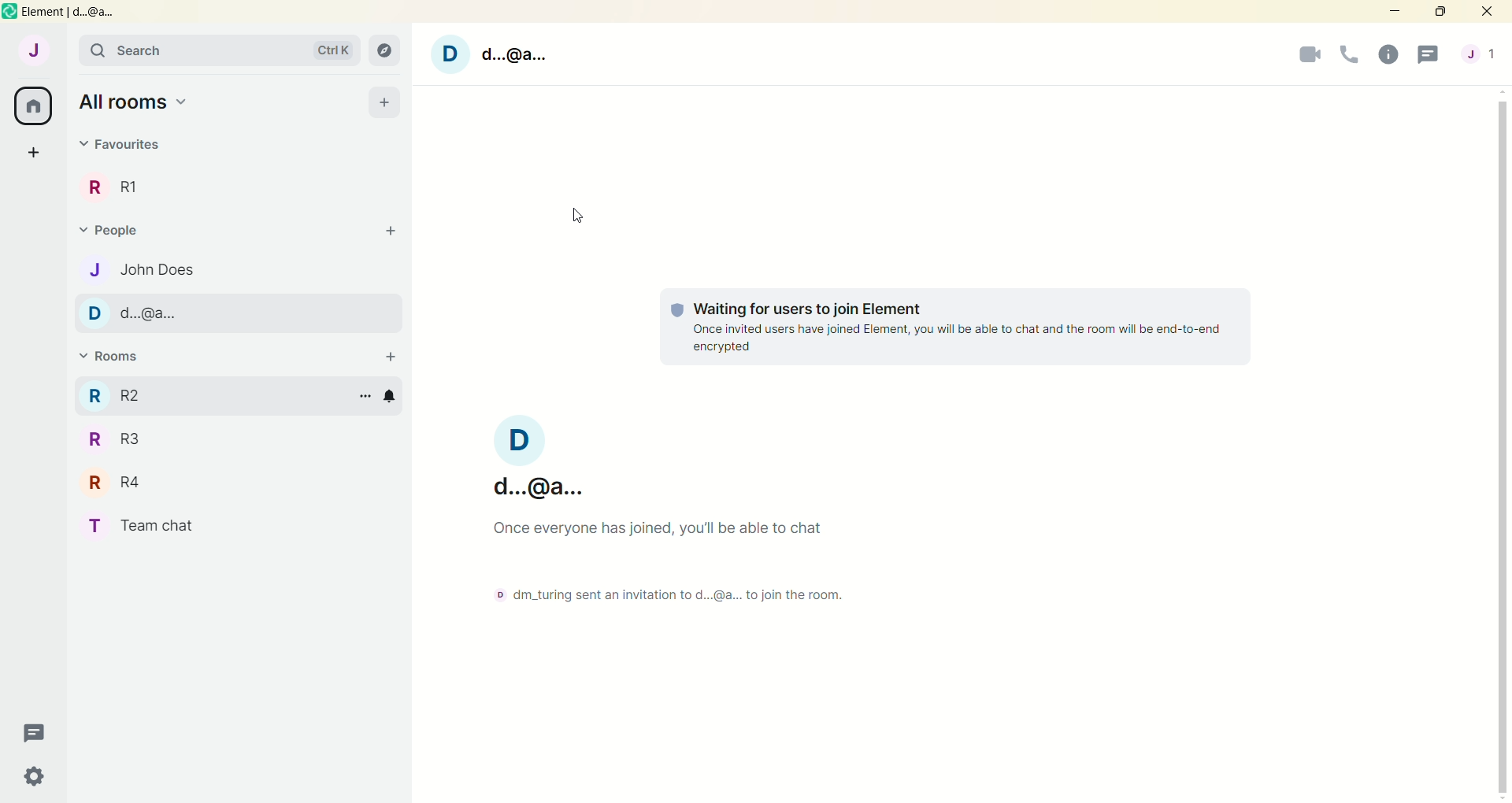 Image resolution: width=1512 pixels, height=803 pixels. I want to click on search bar, so click(154, 50).